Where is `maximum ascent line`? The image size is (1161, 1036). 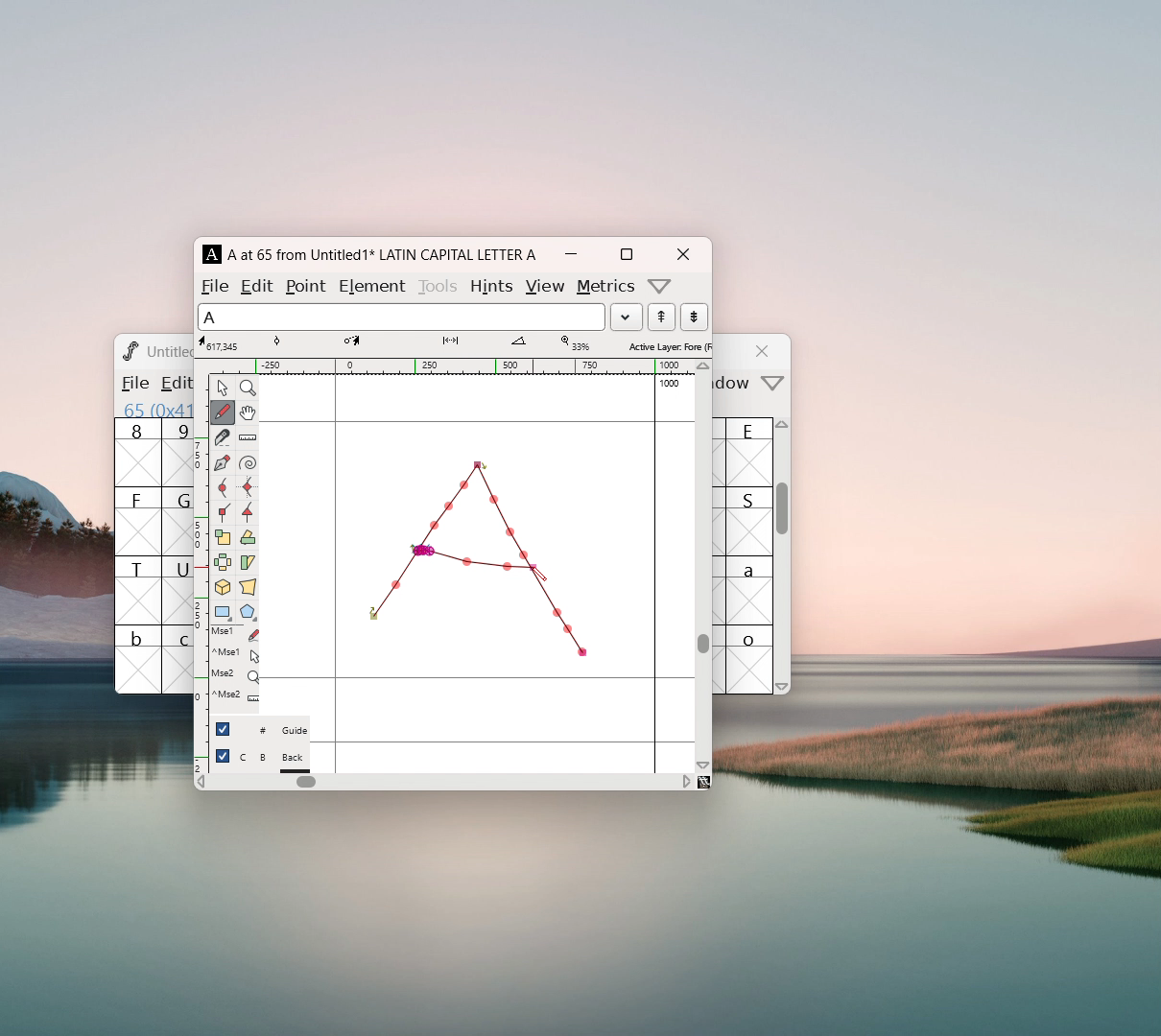
maximum ascent line is located at coordinates (477, 422).